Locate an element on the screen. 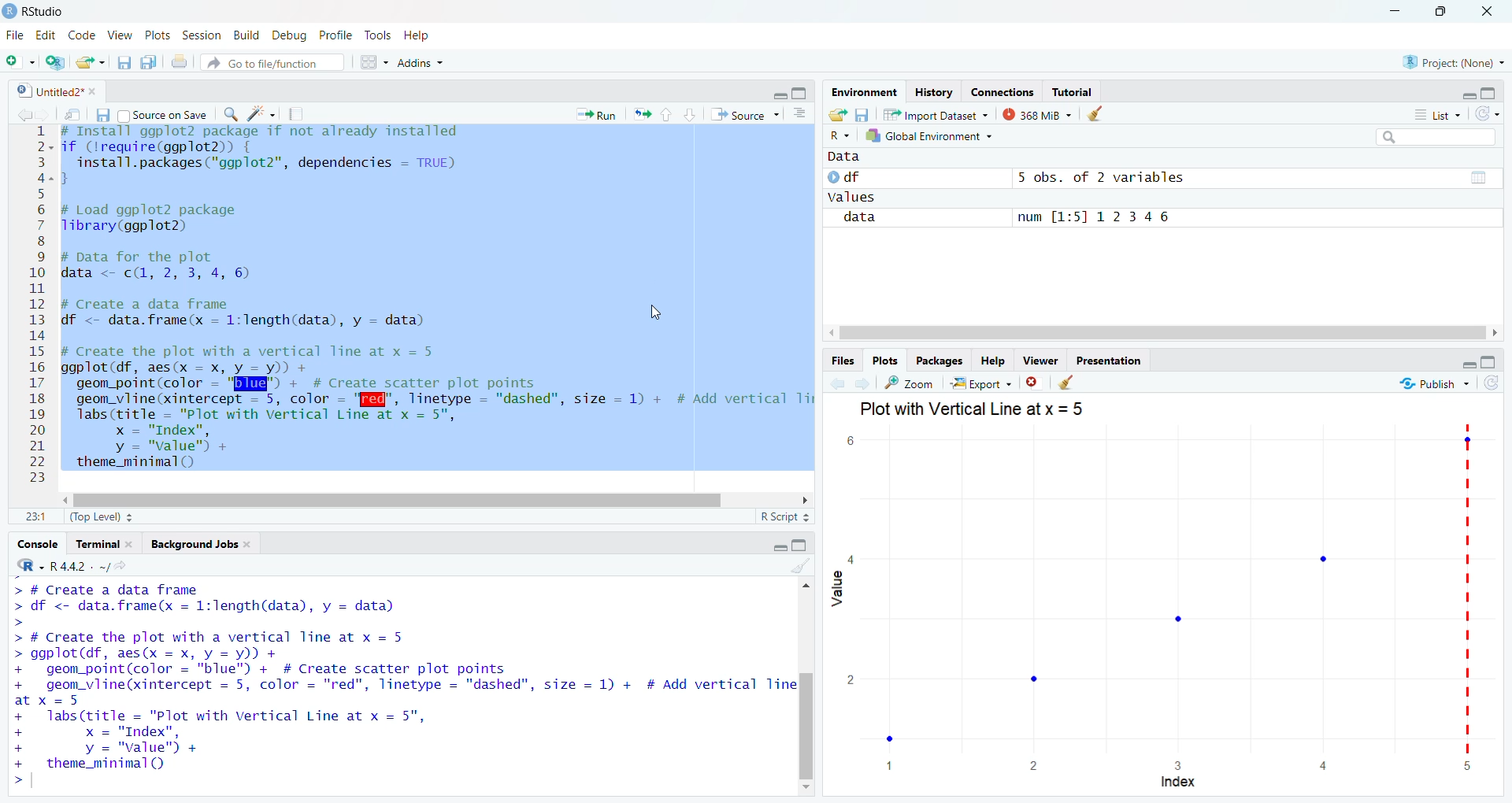 The width and height of the screenshot is (1512, 803). export is located at coordinates (93, 63).